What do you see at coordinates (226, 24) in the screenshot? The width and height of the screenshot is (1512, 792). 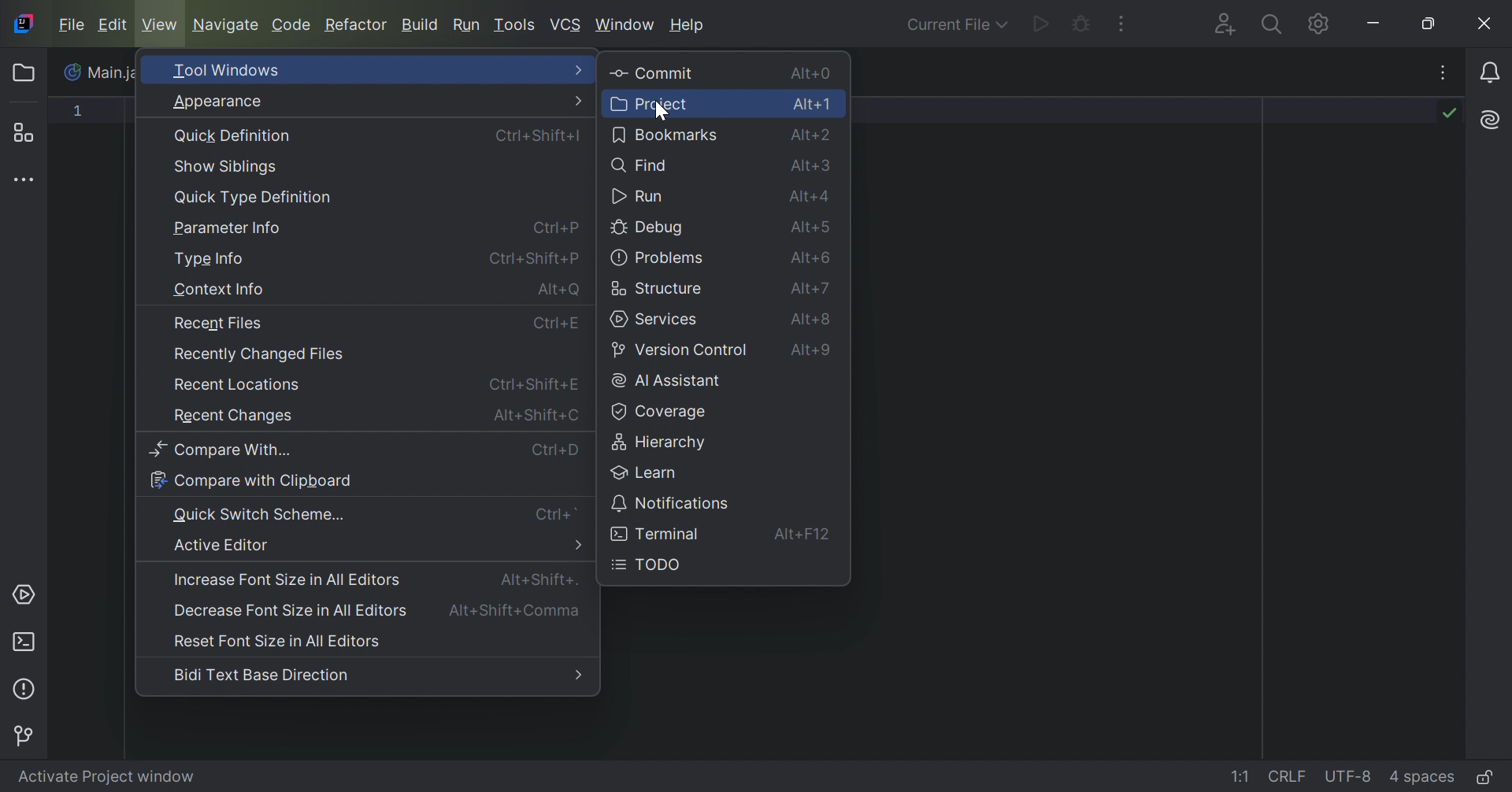 I see `Navigate` at bounding box center [226, 24].